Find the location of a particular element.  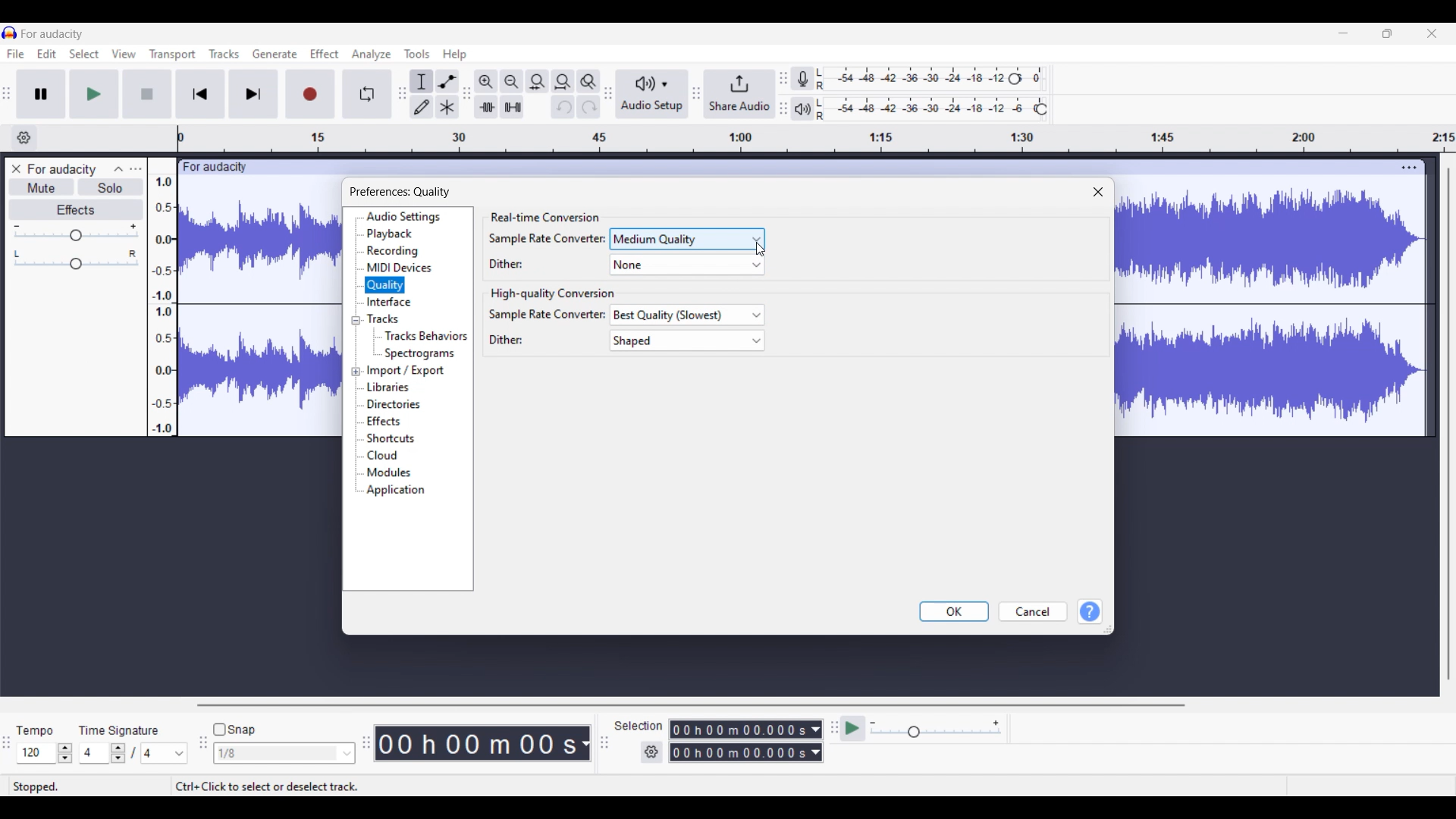

Open menu is located at coordinates (136, 169).